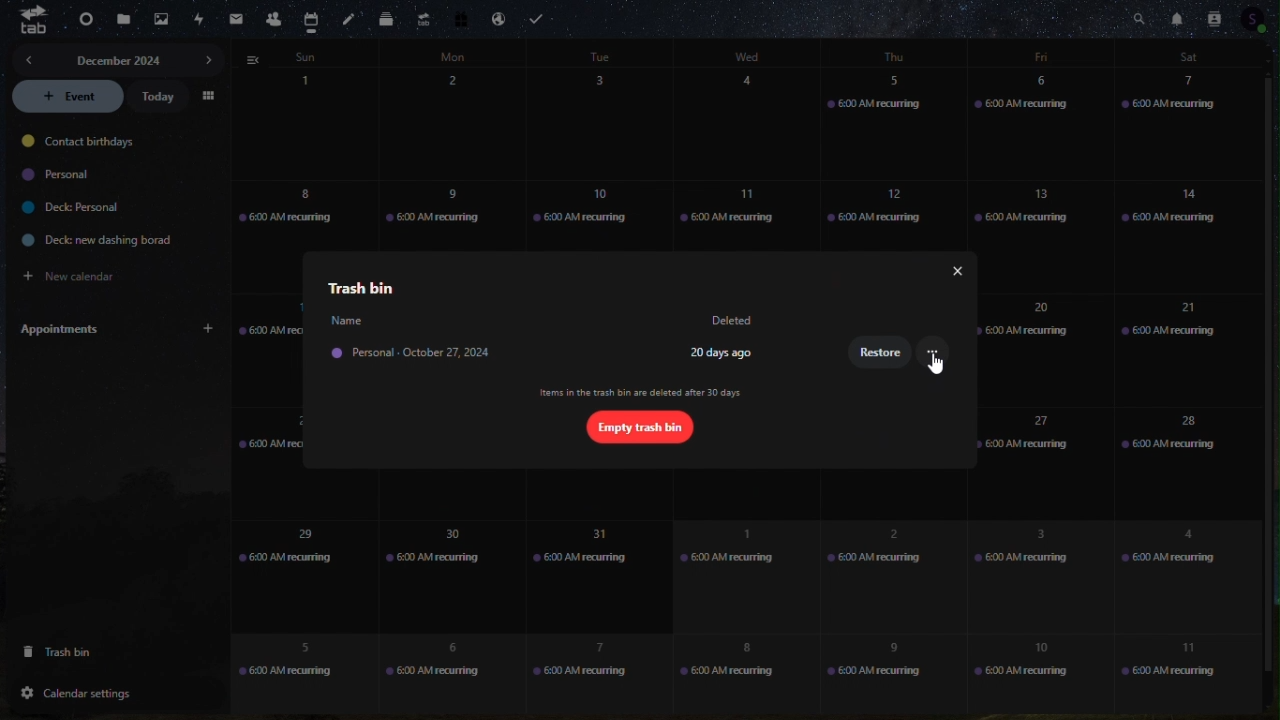 This screenshot has width=1280, height=720. I want to click on mail, so click(234, 20).